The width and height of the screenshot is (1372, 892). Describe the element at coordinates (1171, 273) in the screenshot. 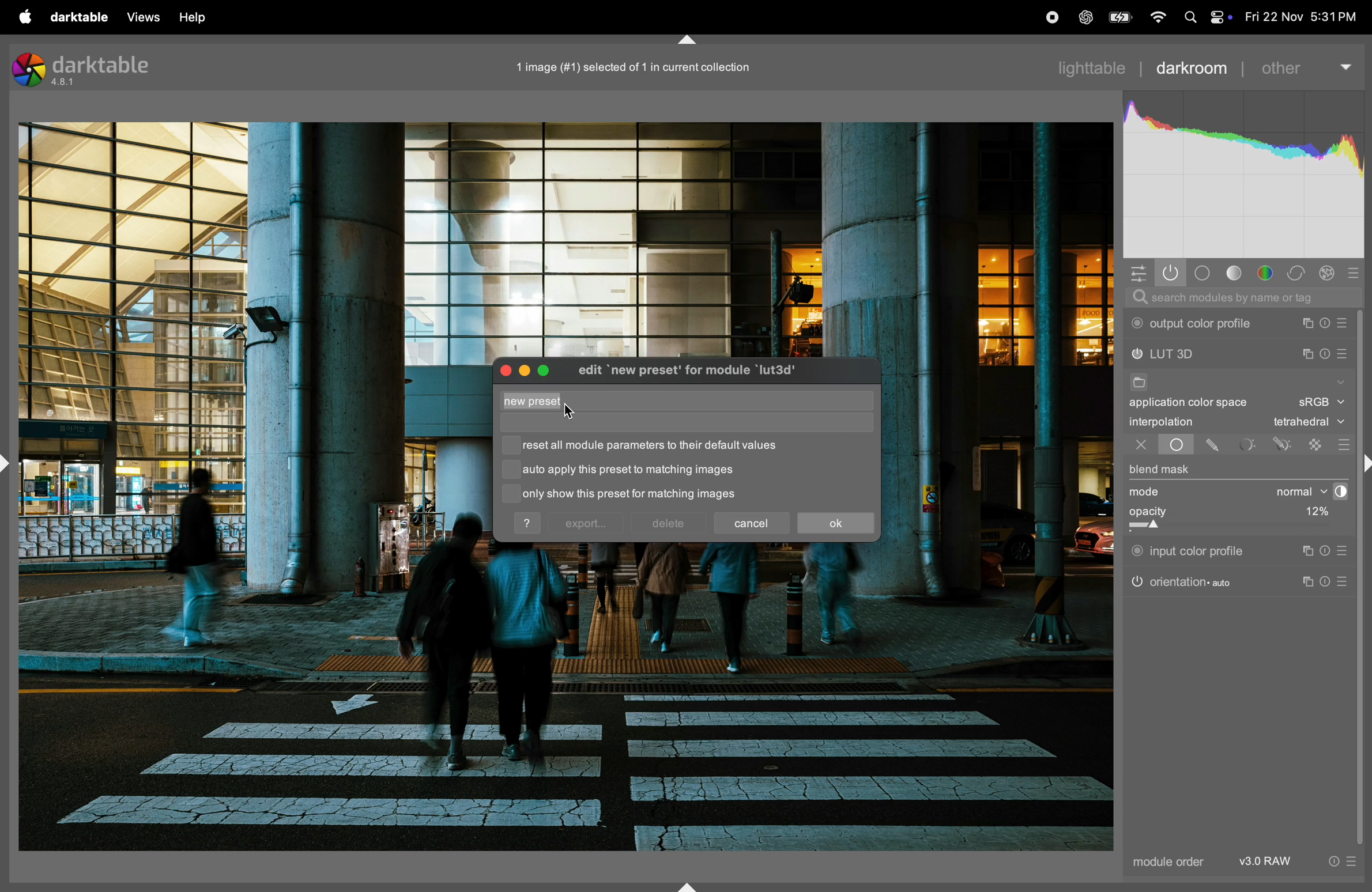

I see `show only active modules` at that location.